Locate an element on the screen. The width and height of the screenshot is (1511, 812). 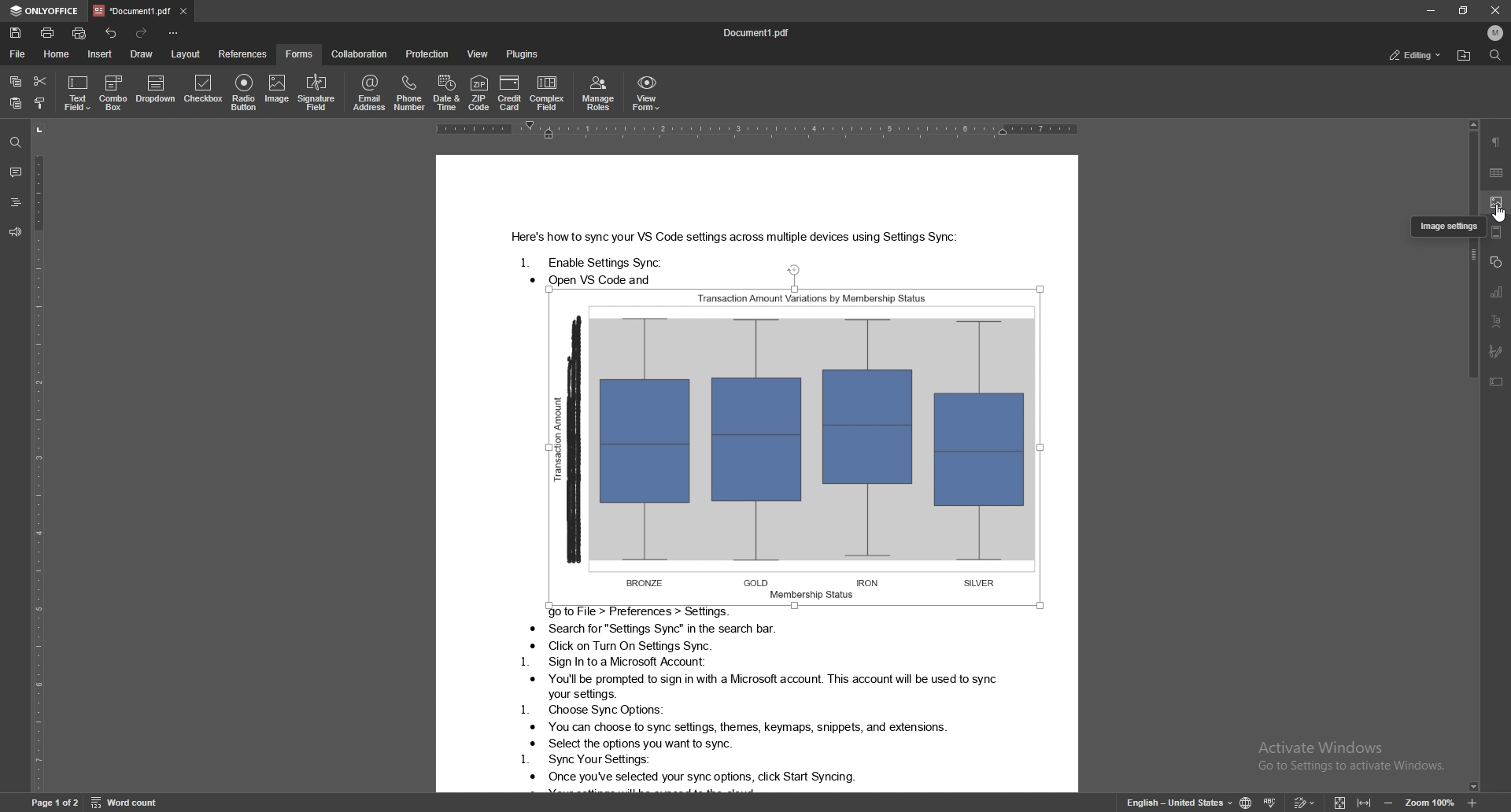
radio button is located at coordinates (244, 91).